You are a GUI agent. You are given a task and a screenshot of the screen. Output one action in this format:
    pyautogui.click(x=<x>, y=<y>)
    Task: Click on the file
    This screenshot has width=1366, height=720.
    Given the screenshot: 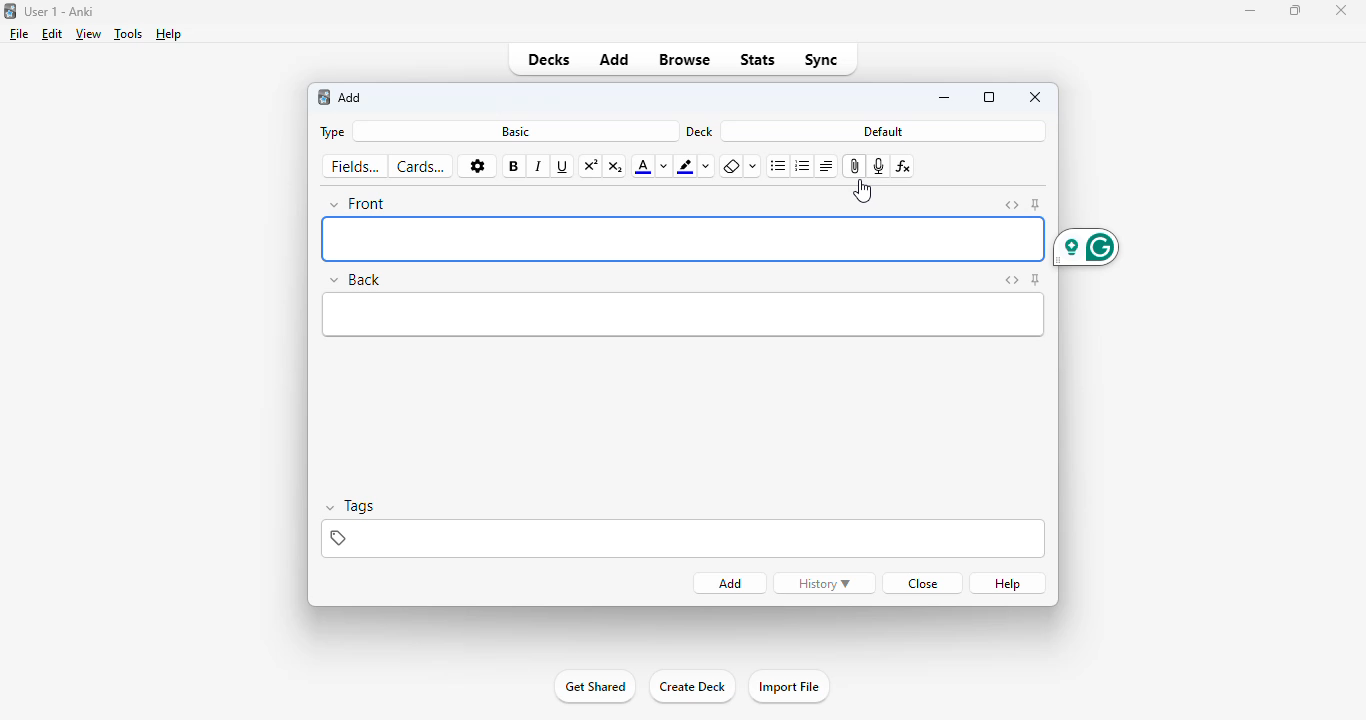 What is the action you would take?
    pyautogui.click(x=19, y=34)
    